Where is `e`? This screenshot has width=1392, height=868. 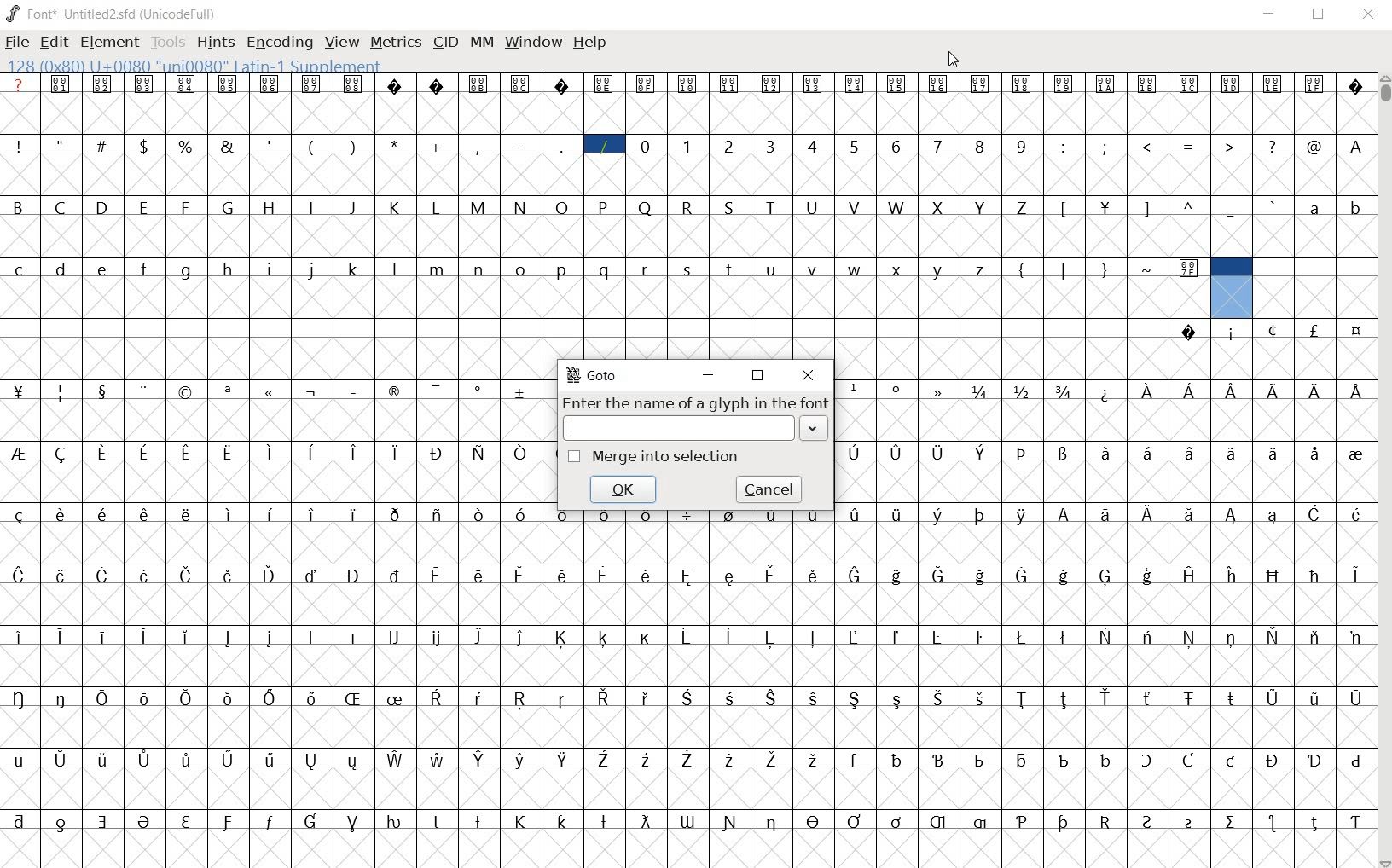
e is located at coordinates (103, 268).